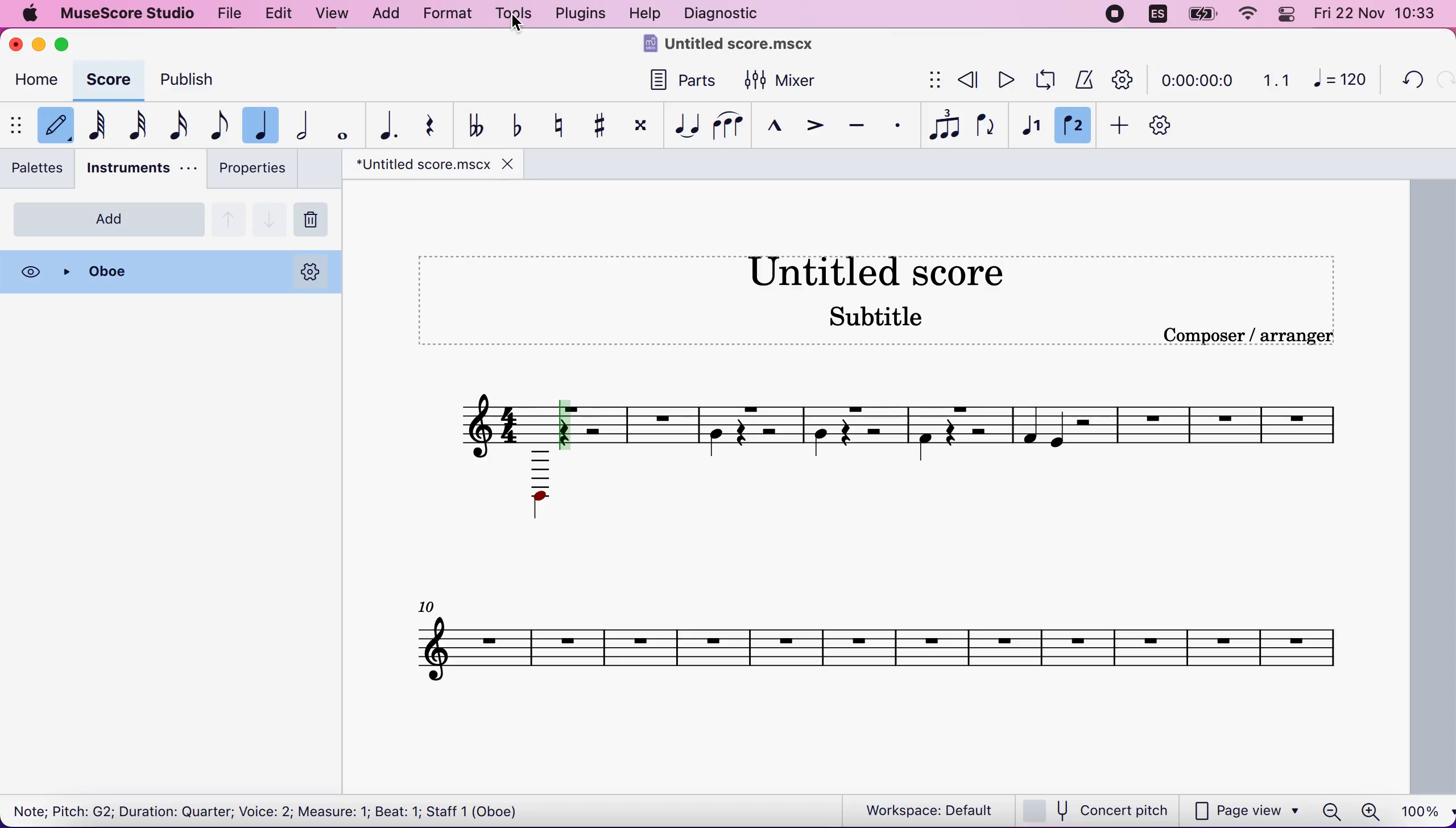 The width and height of the screenshot is (1456, 828). What do you see at coordinates (450, 14) in the screenshot?
I see `format` at bounding box center [450, 14].